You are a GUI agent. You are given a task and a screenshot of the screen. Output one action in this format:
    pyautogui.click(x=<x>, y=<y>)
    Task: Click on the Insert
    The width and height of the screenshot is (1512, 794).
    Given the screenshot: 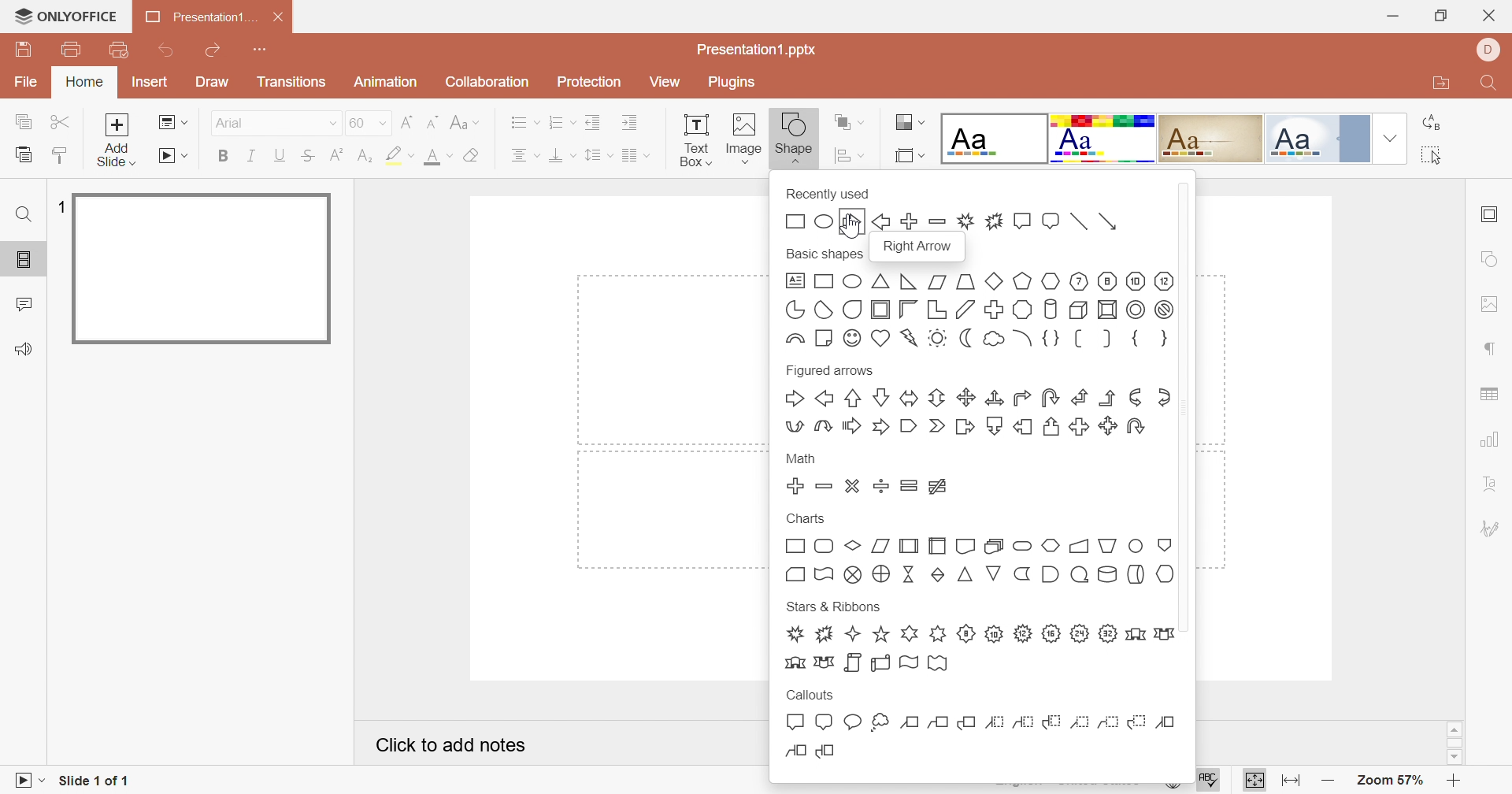 What is the action you would take?
    pyautogui.click(x=149, y=83)
    